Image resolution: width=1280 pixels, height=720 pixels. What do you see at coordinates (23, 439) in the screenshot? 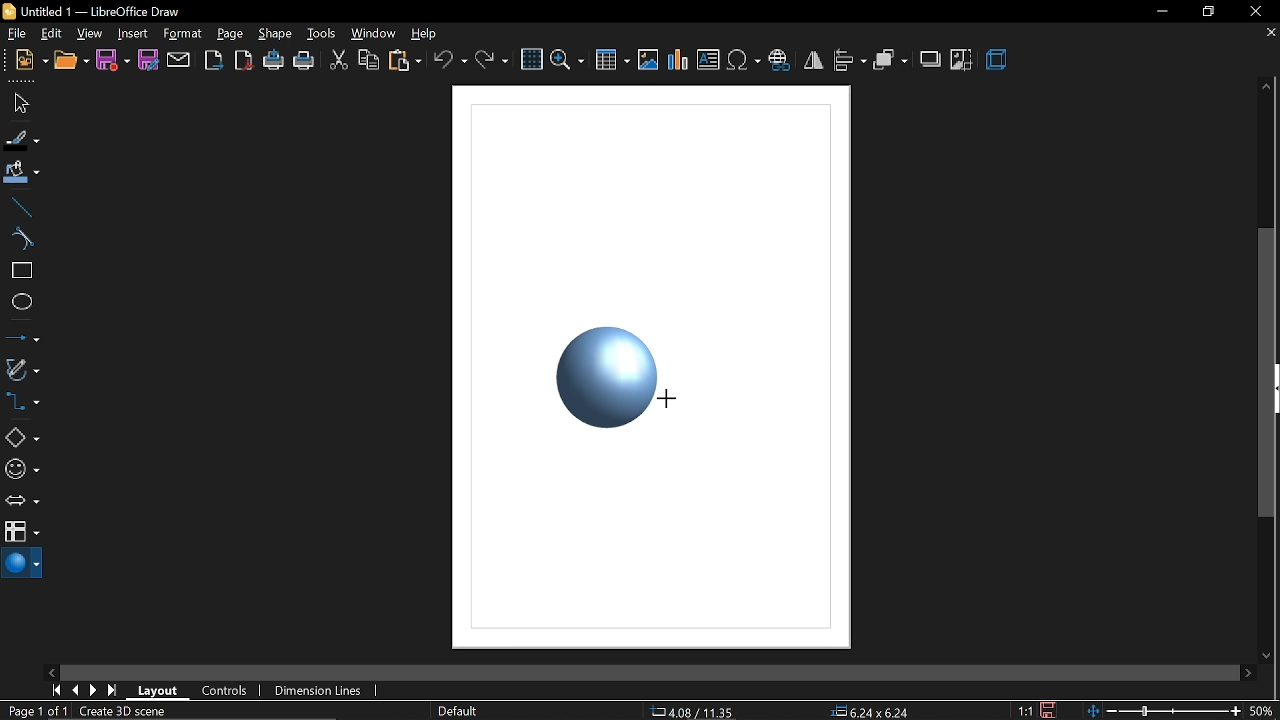
I see `basic shapes` at bounding box center [23, 439].